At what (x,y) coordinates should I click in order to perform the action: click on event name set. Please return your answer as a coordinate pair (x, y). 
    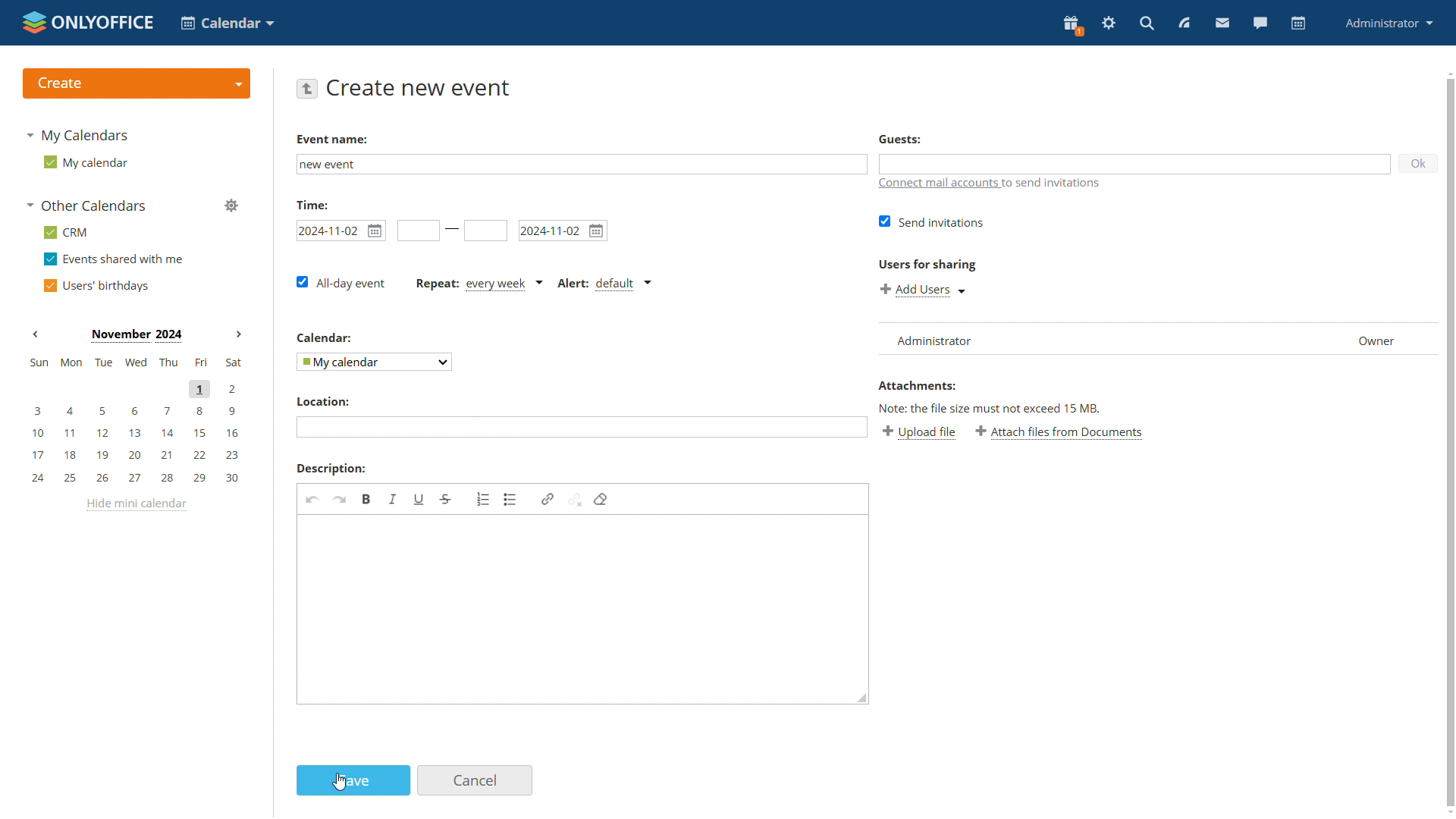
    Looking at the image, I should click on (334, 165).